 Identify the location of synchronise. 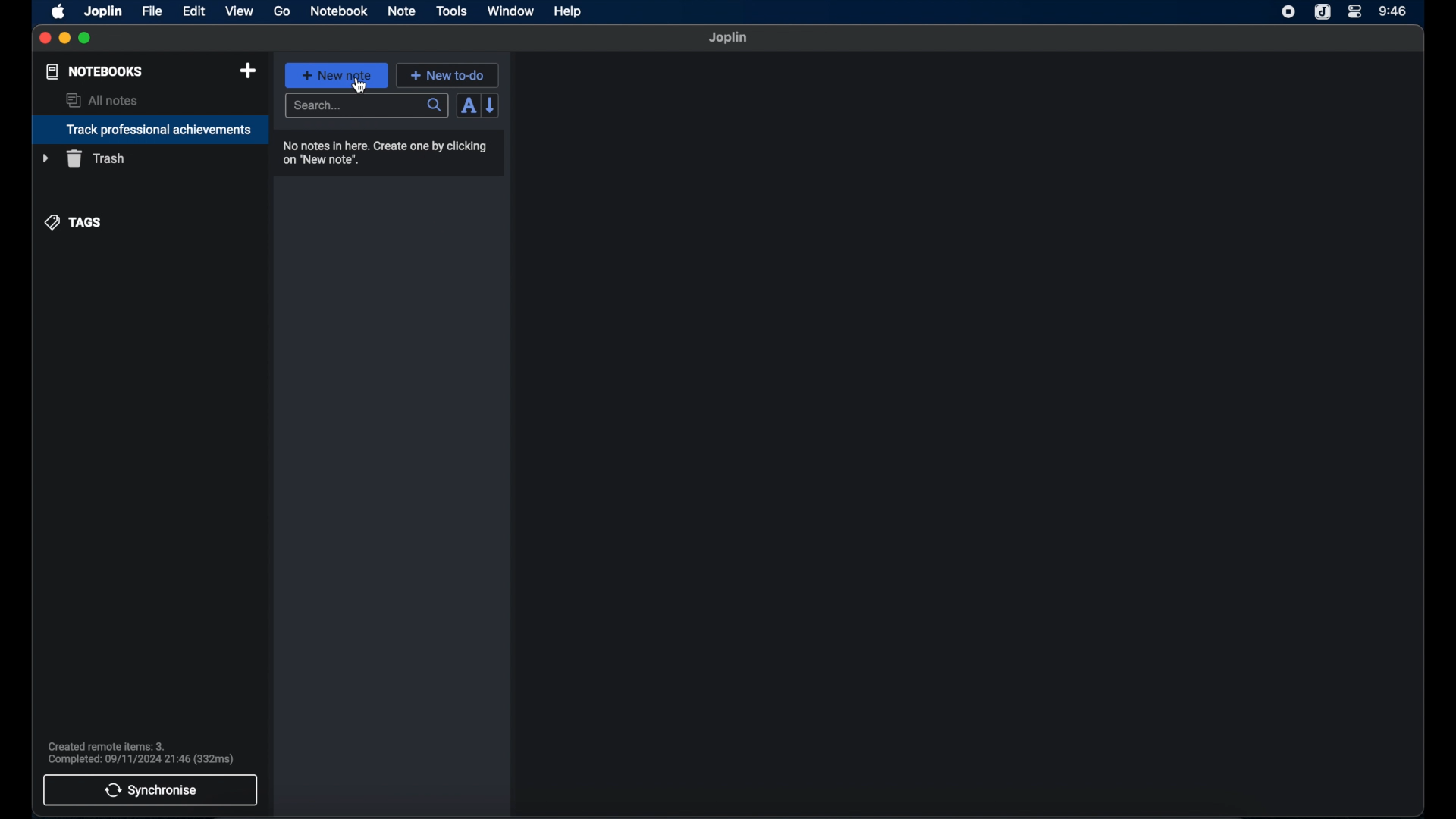
(151, 790).